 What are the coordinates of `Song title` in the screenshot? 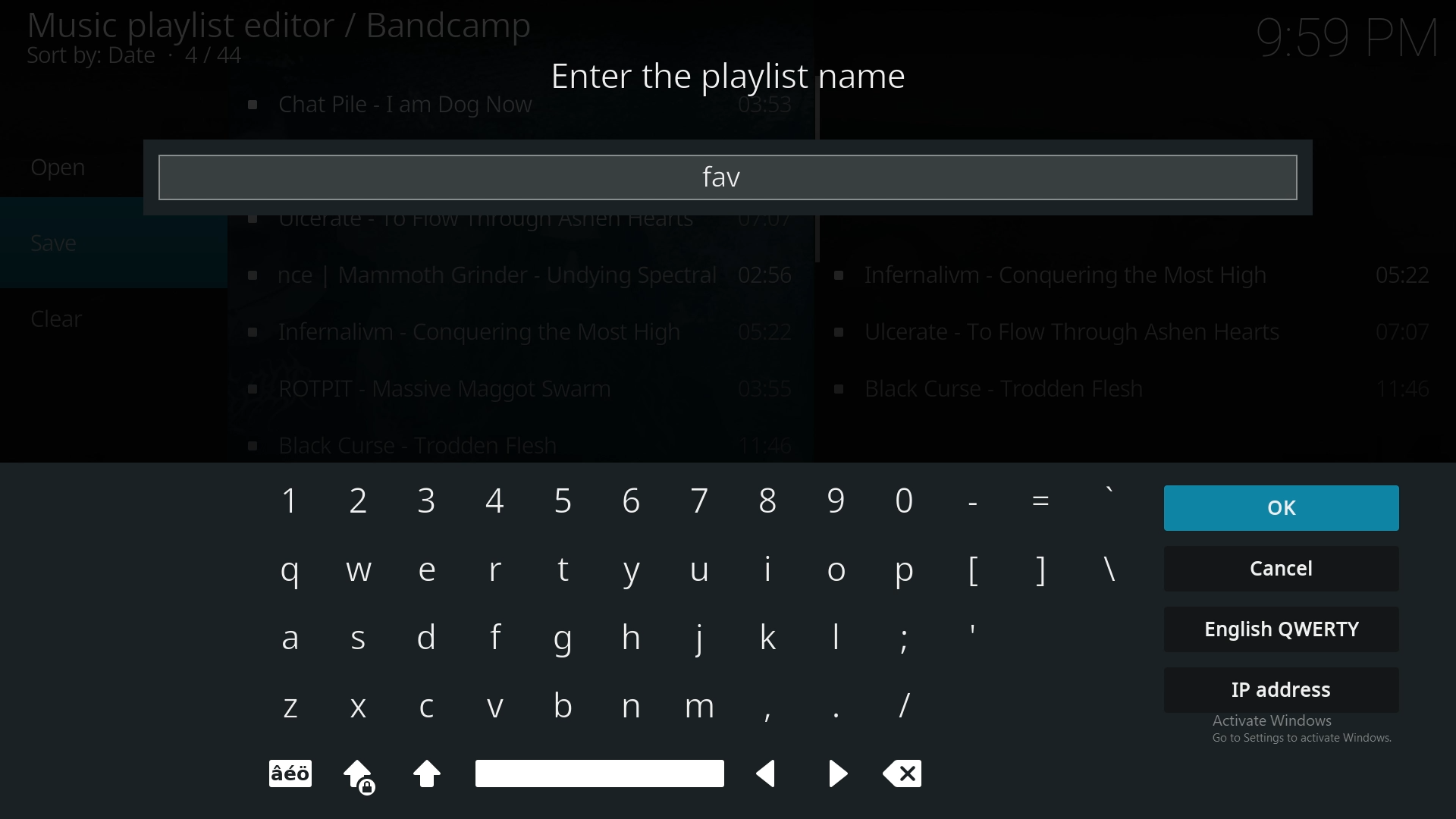 It's located at (518, 445).